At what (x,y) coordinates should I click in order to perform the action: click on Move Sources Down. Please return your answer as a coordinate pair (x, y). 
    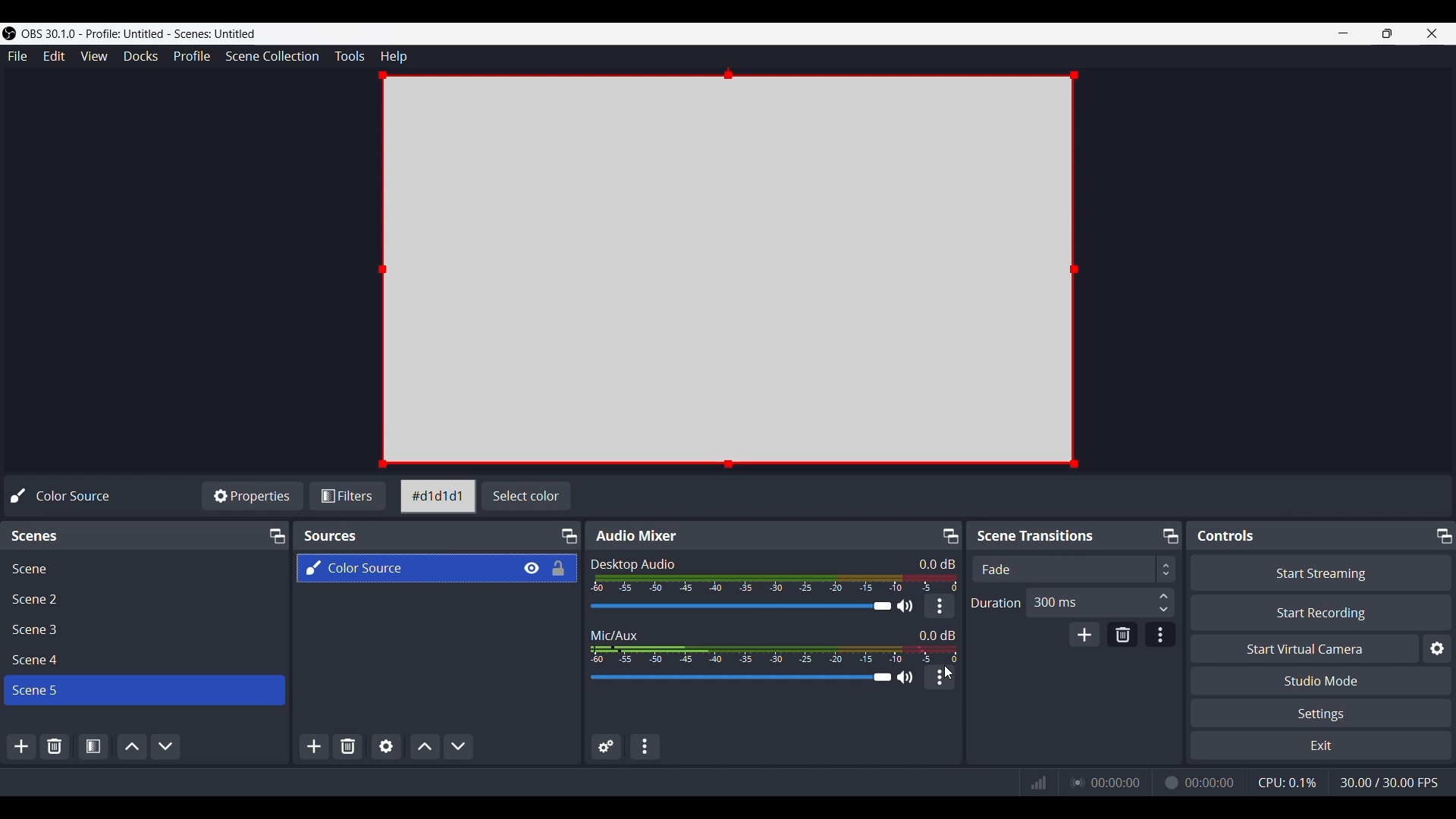
    Looking at the image, I should click on (459, 745).